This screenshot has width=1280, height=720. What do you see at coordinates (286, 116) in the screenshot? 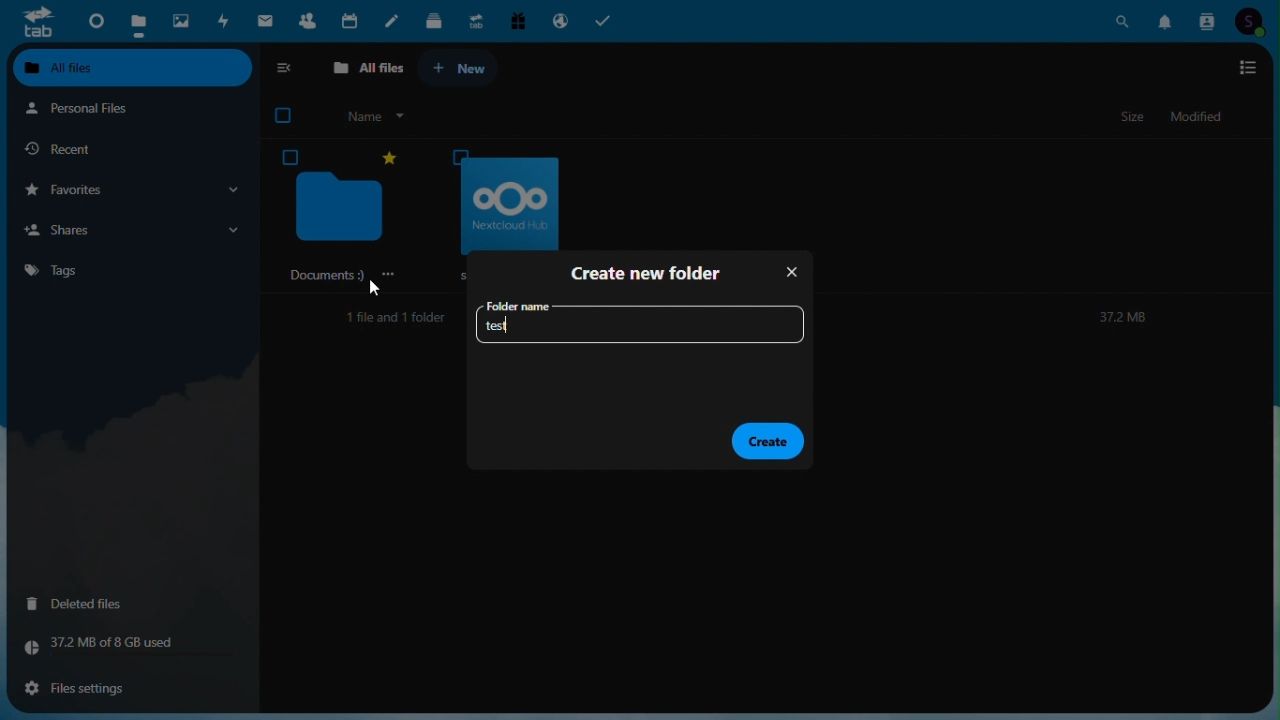
I see `checkbox` at bounding box center [286, 116].